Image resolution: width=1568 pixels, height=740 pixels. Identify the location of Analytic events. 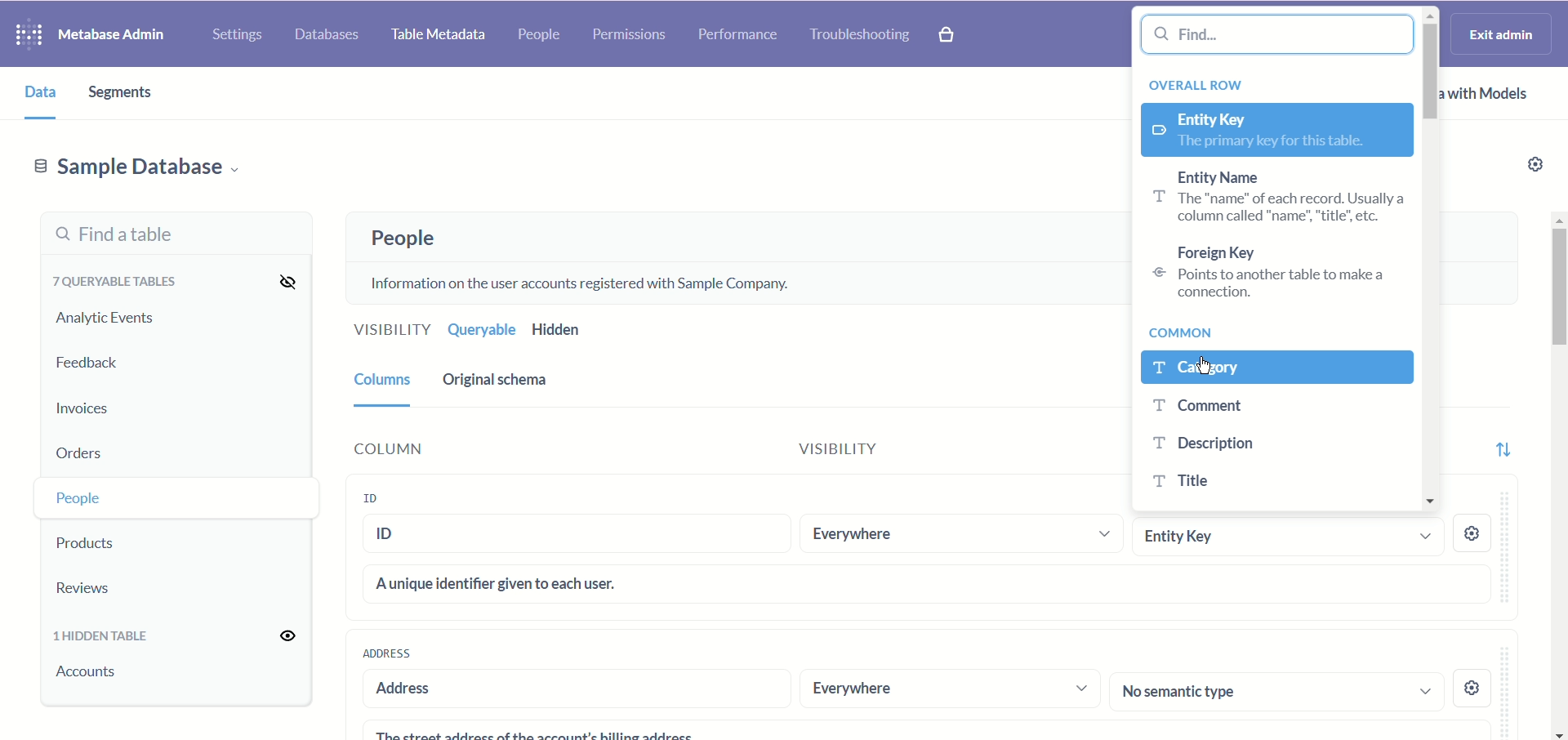
(104, 319).